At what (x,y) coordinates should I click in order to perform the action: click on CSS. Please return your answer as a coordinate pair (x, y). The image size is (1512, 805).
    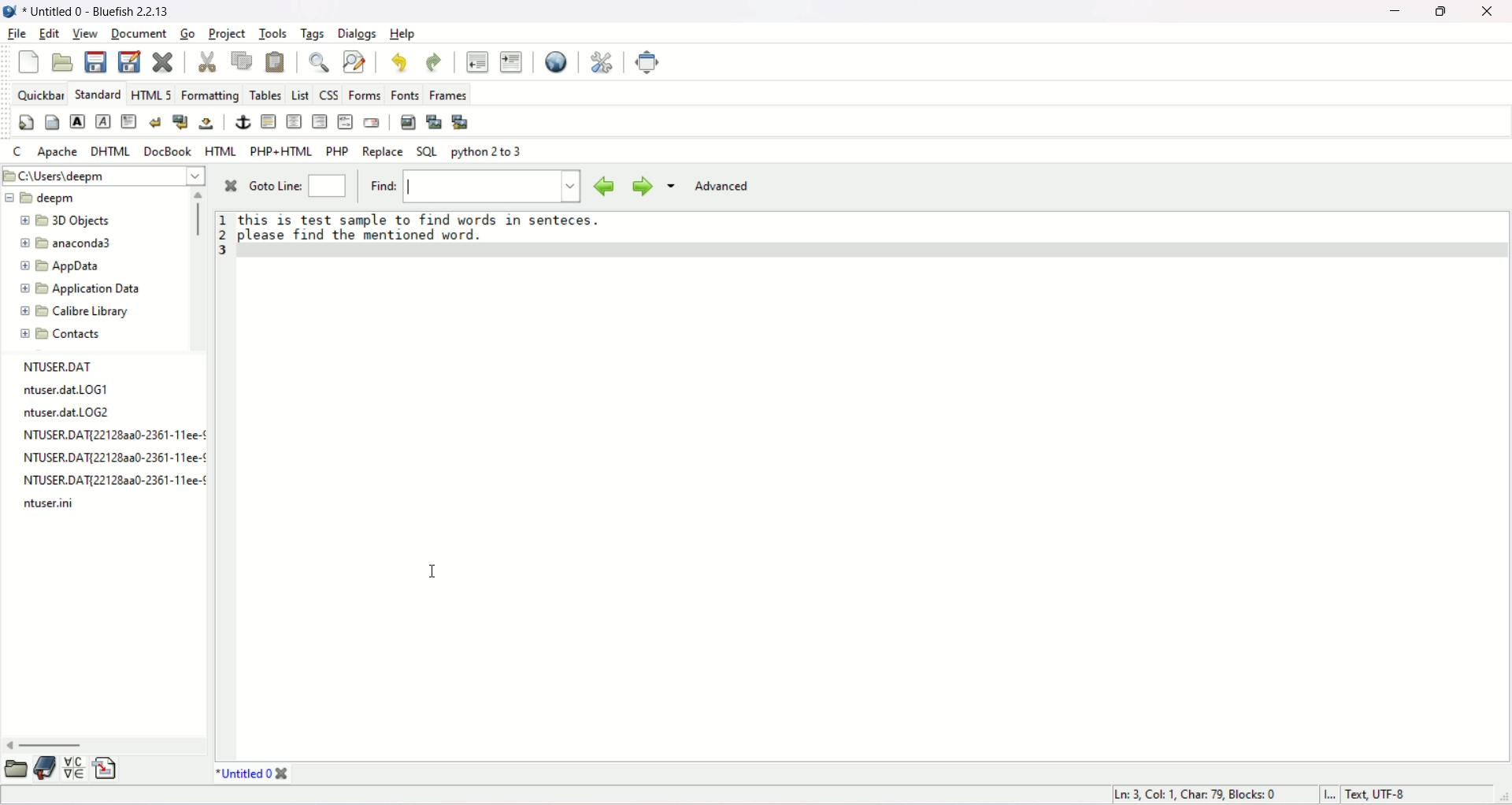
    Looking at the image, I should click on (328, 95).